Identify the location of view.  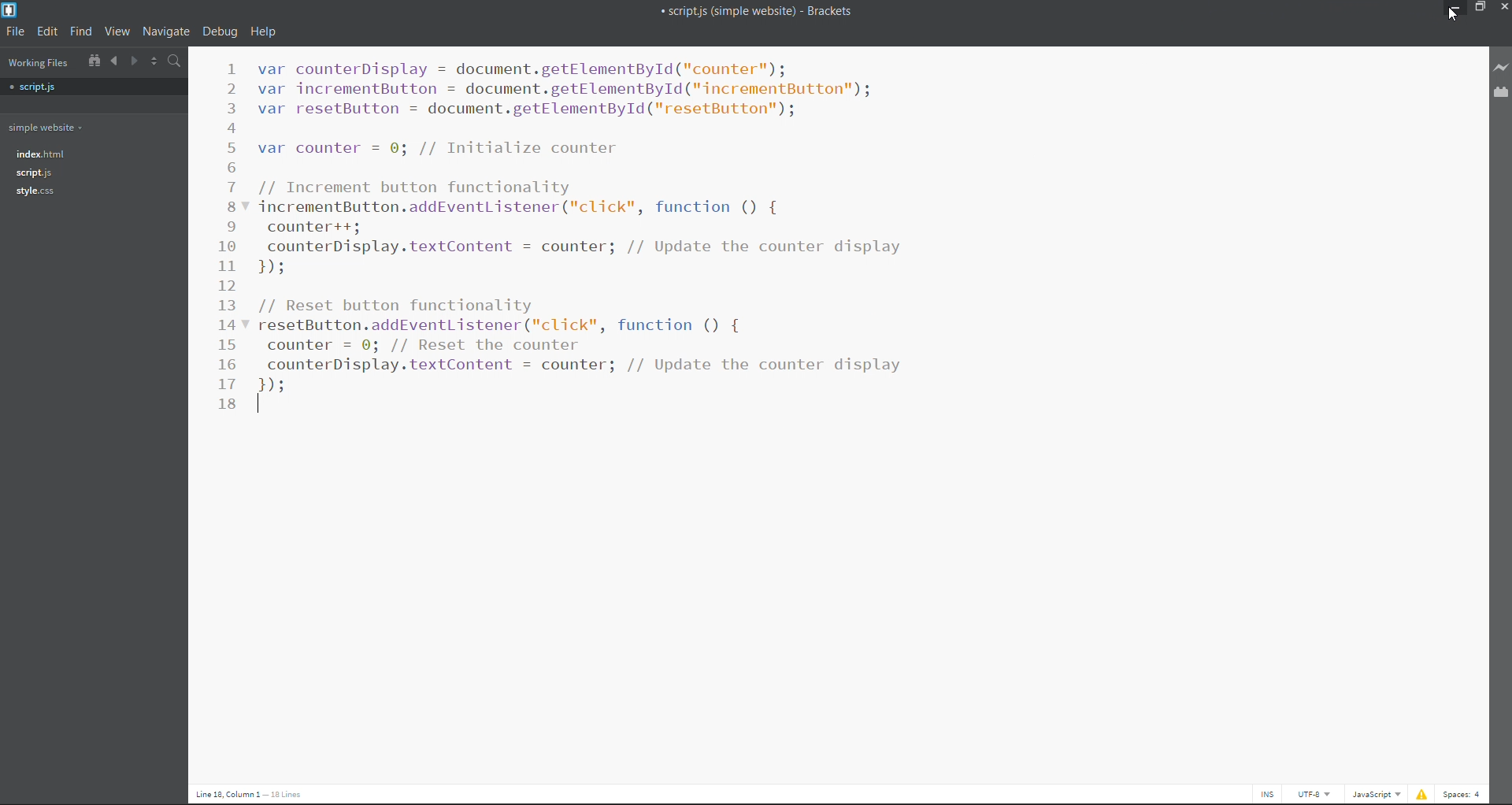
(117, 31).